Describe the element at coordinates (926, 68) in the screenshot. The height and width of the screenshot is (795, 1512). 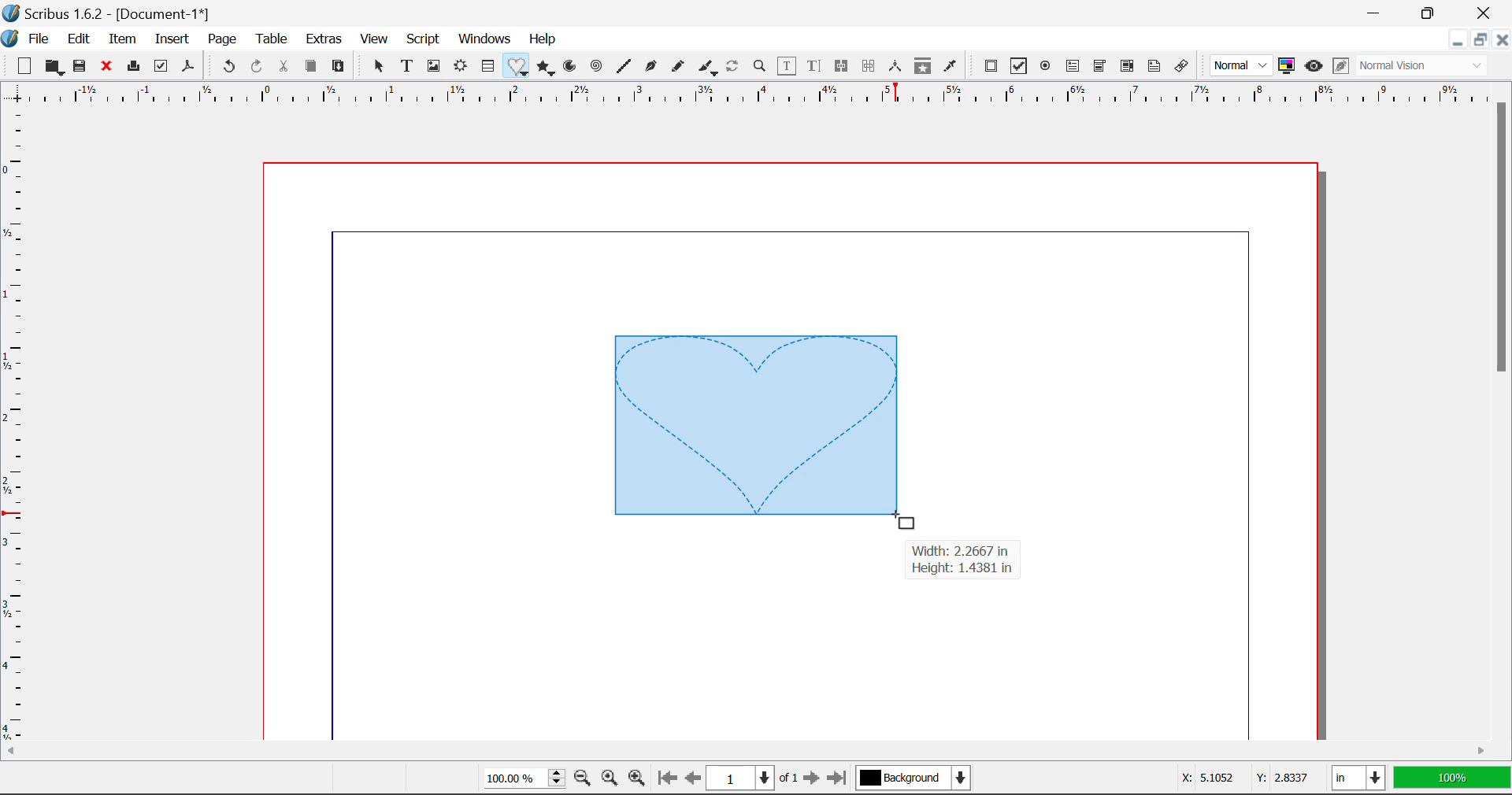
I see `Copy Item Properties` at that location.